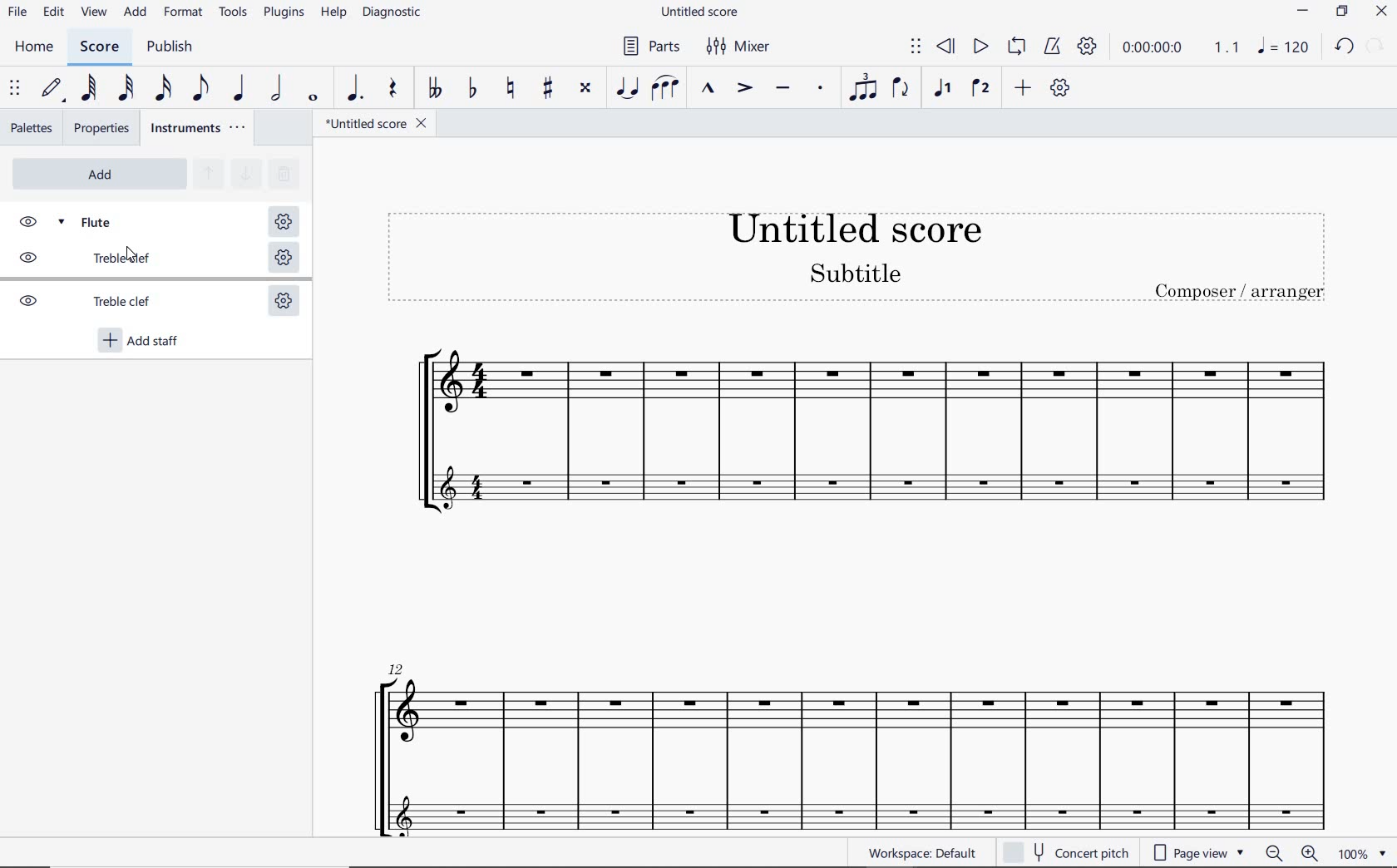 This screenshot has height=868, width=1397. I want to click on METRONOME, so click(1054, 47).